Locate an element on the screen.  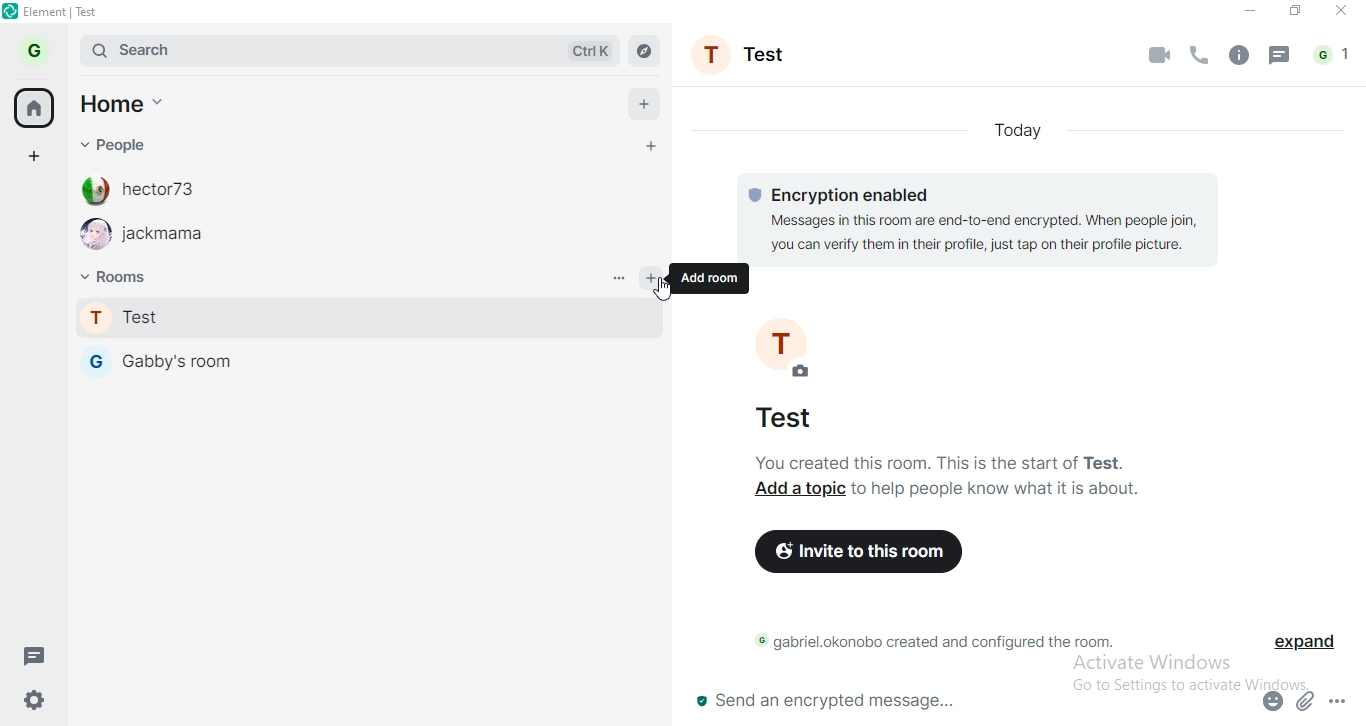
element is located at coordinates (51, 10).